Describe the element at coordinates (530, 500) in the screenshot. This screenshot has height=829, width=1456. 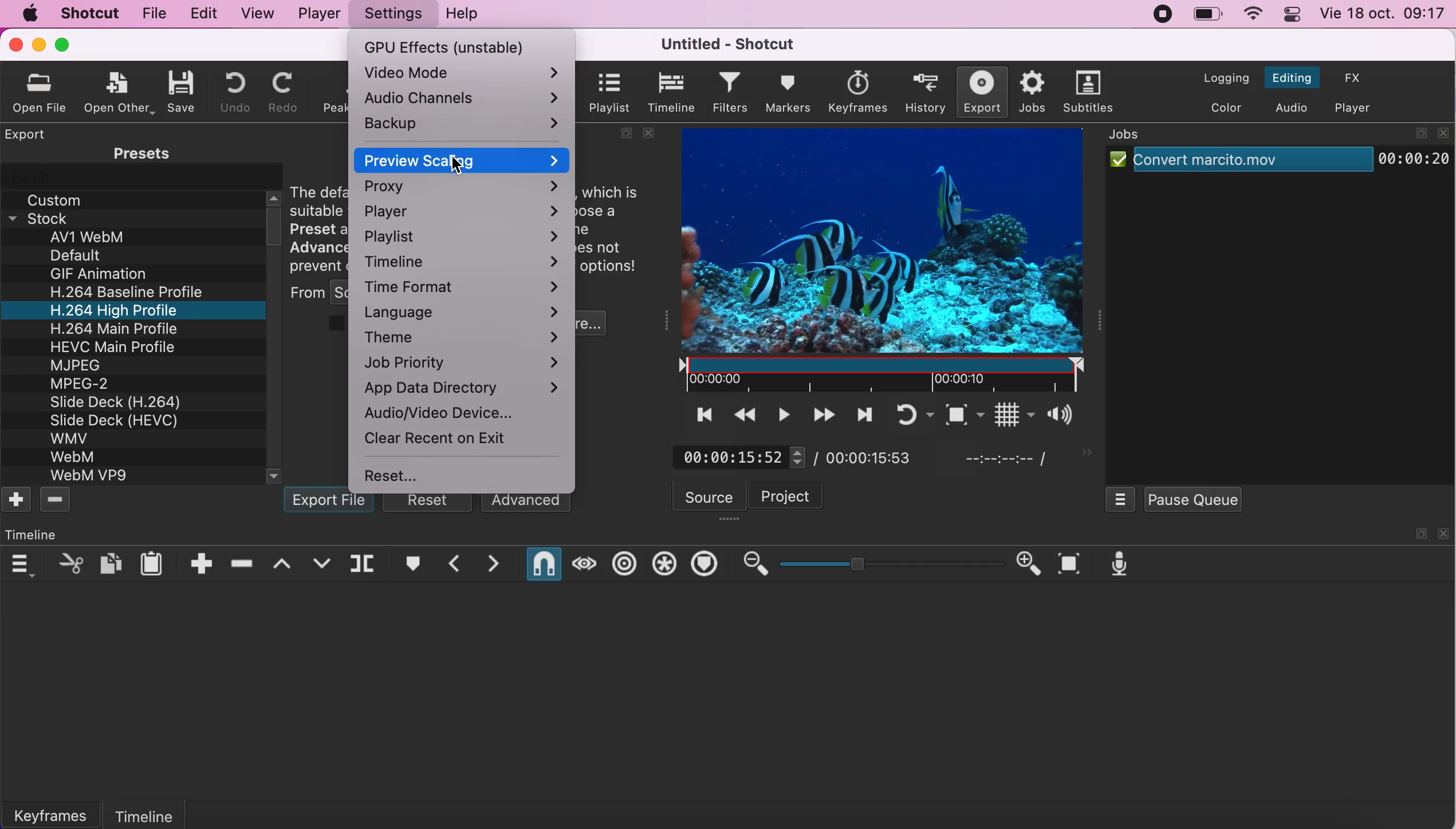
I see `advanced` at that location.